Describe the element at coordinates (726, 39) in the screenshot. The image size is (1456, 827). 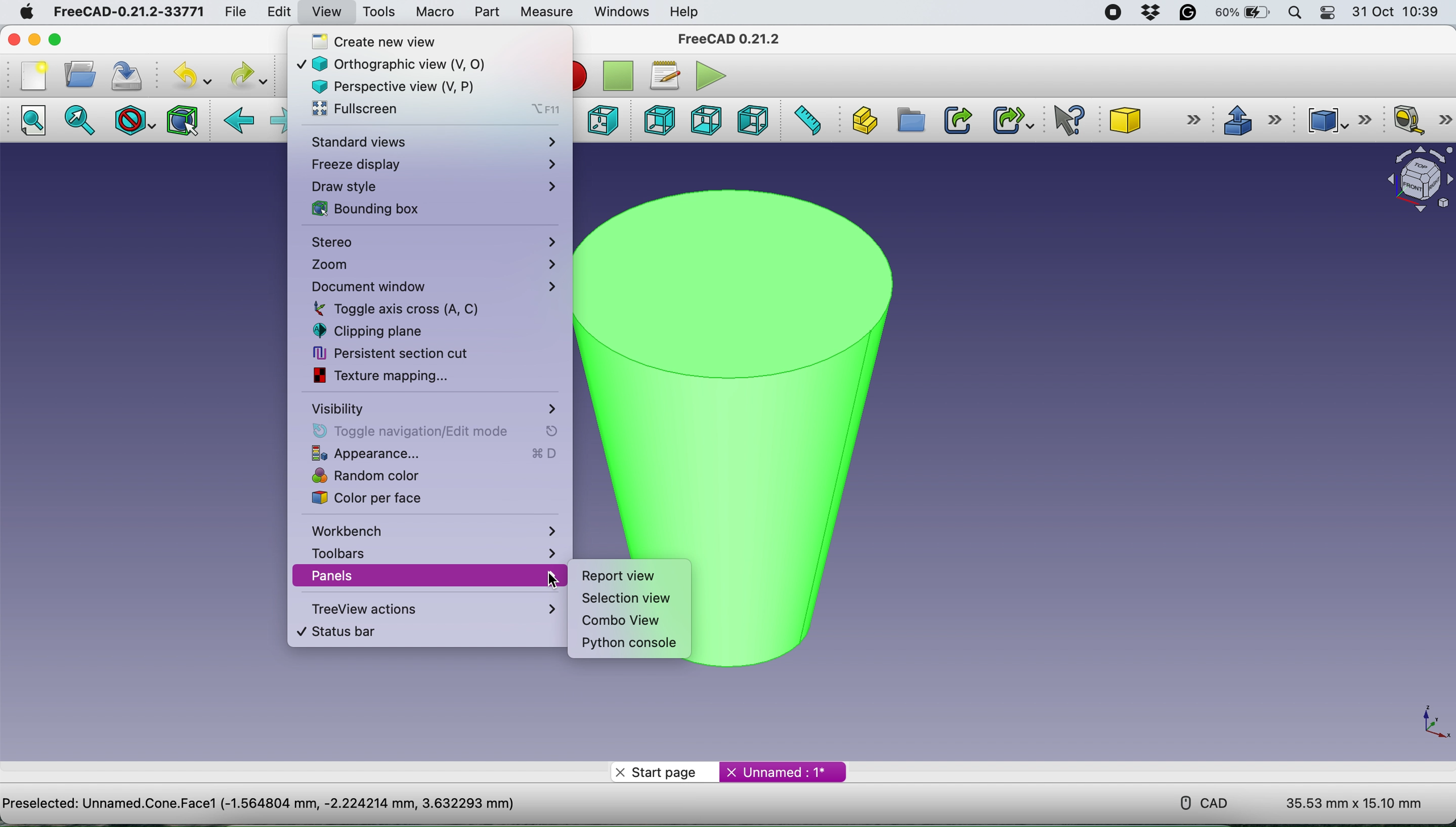
I see `freecad 0.21.2` at that location.